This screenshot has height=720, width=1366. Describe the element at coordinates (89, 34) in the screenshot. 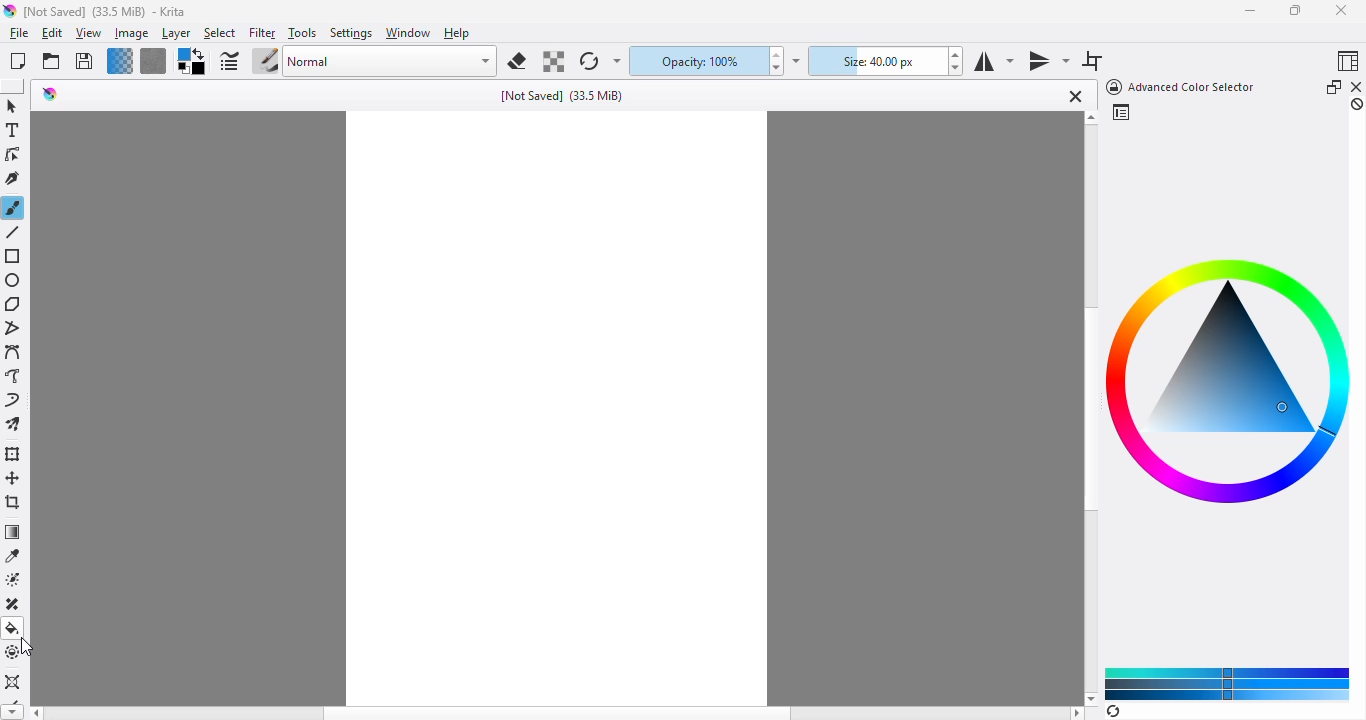

I see `view` at that location.